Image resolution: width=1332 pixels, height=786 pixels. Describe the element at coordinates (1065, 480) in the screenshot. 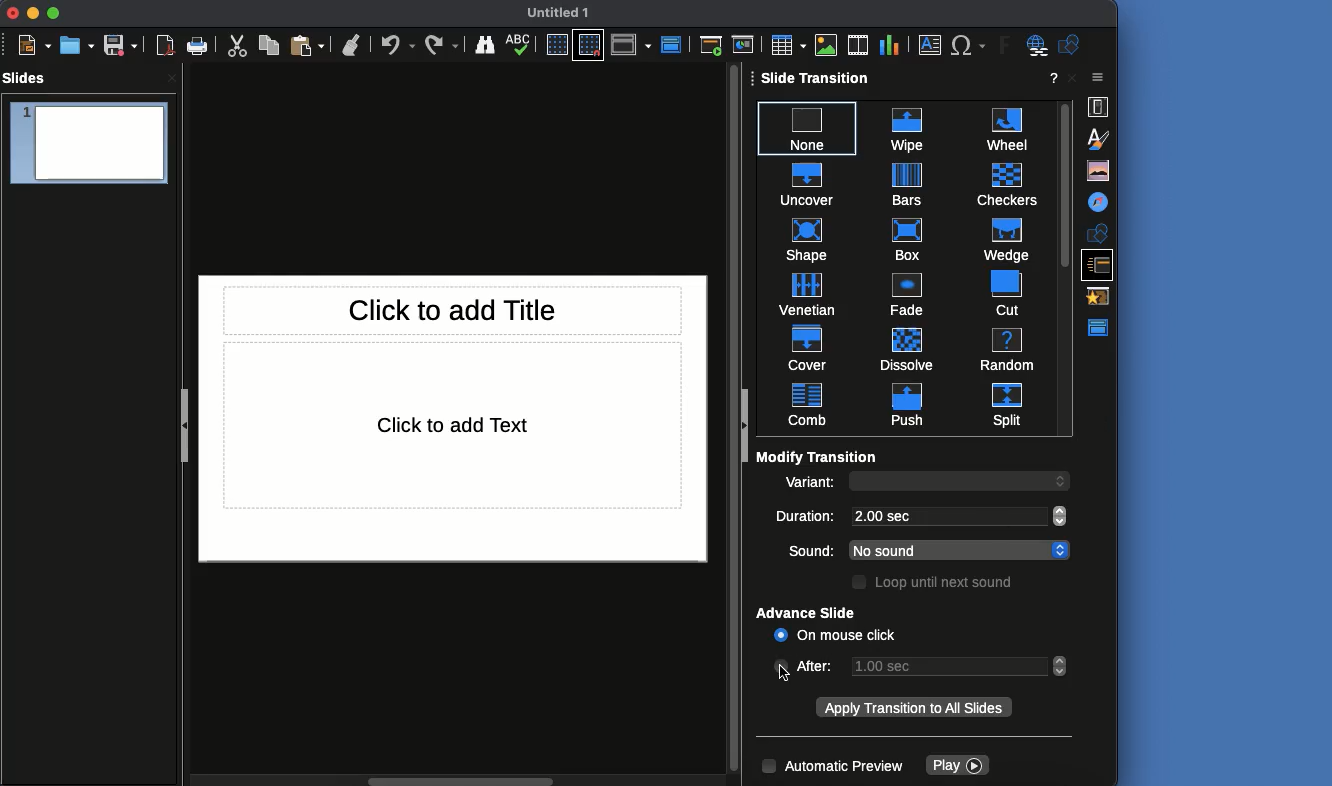

I see `scroll` at that location.